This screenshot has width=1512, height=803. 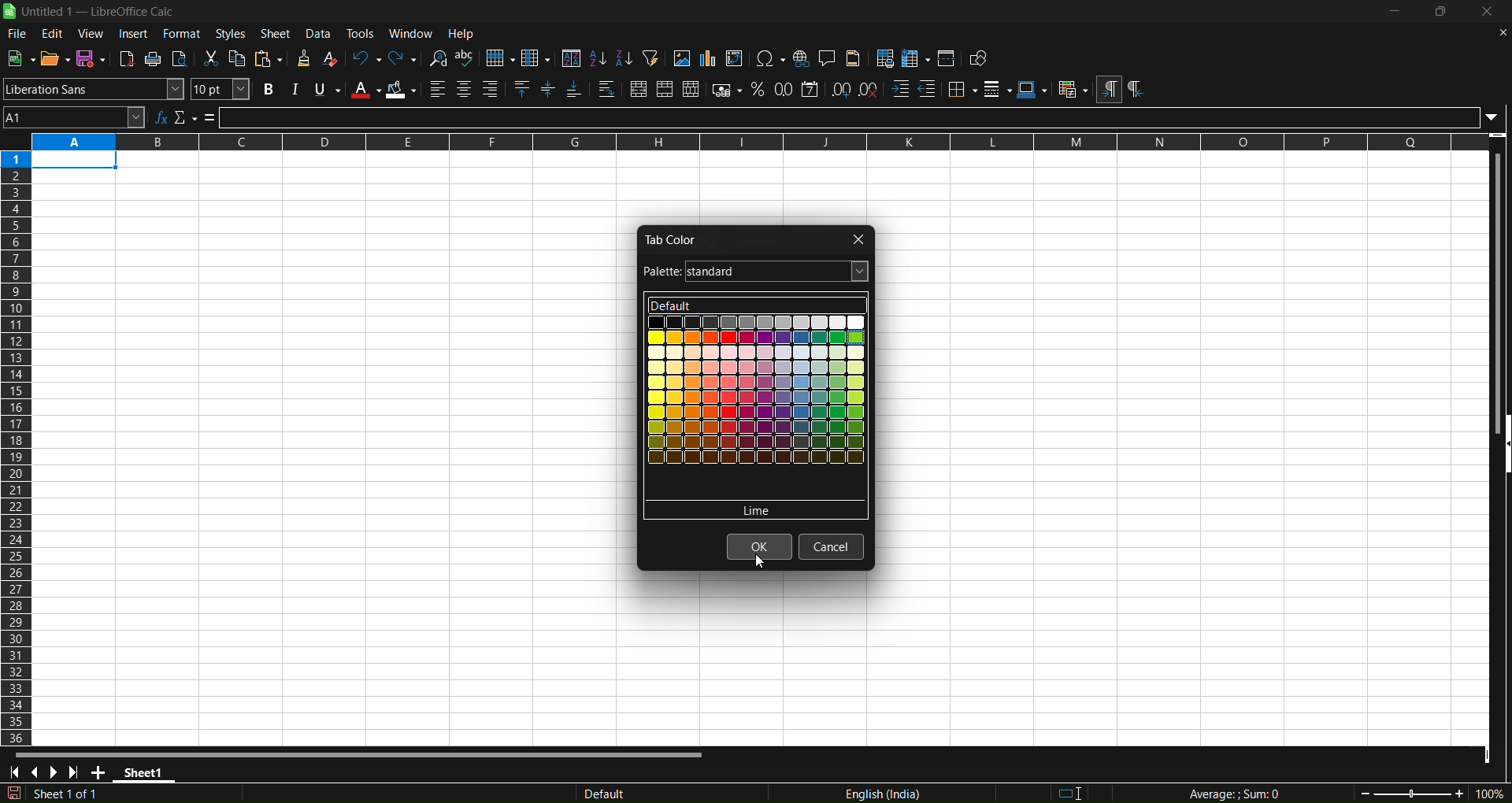 What do you see at coordinates (213, 58) in the screenshot?
I see `cut` at bounding box center [213, 58].